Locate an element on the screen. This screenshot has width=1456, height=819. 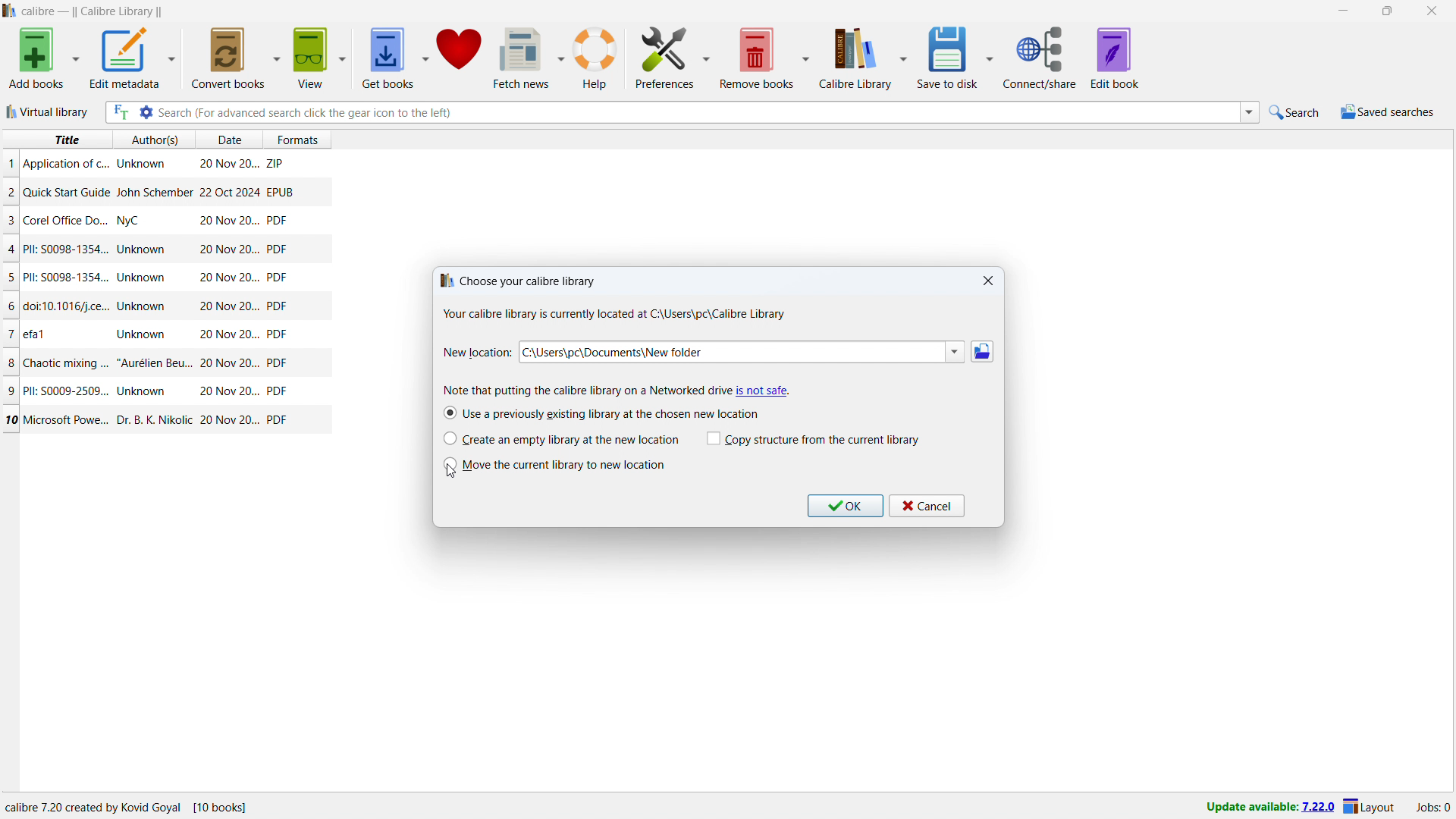
PDF is located at coordinates (279, 364).